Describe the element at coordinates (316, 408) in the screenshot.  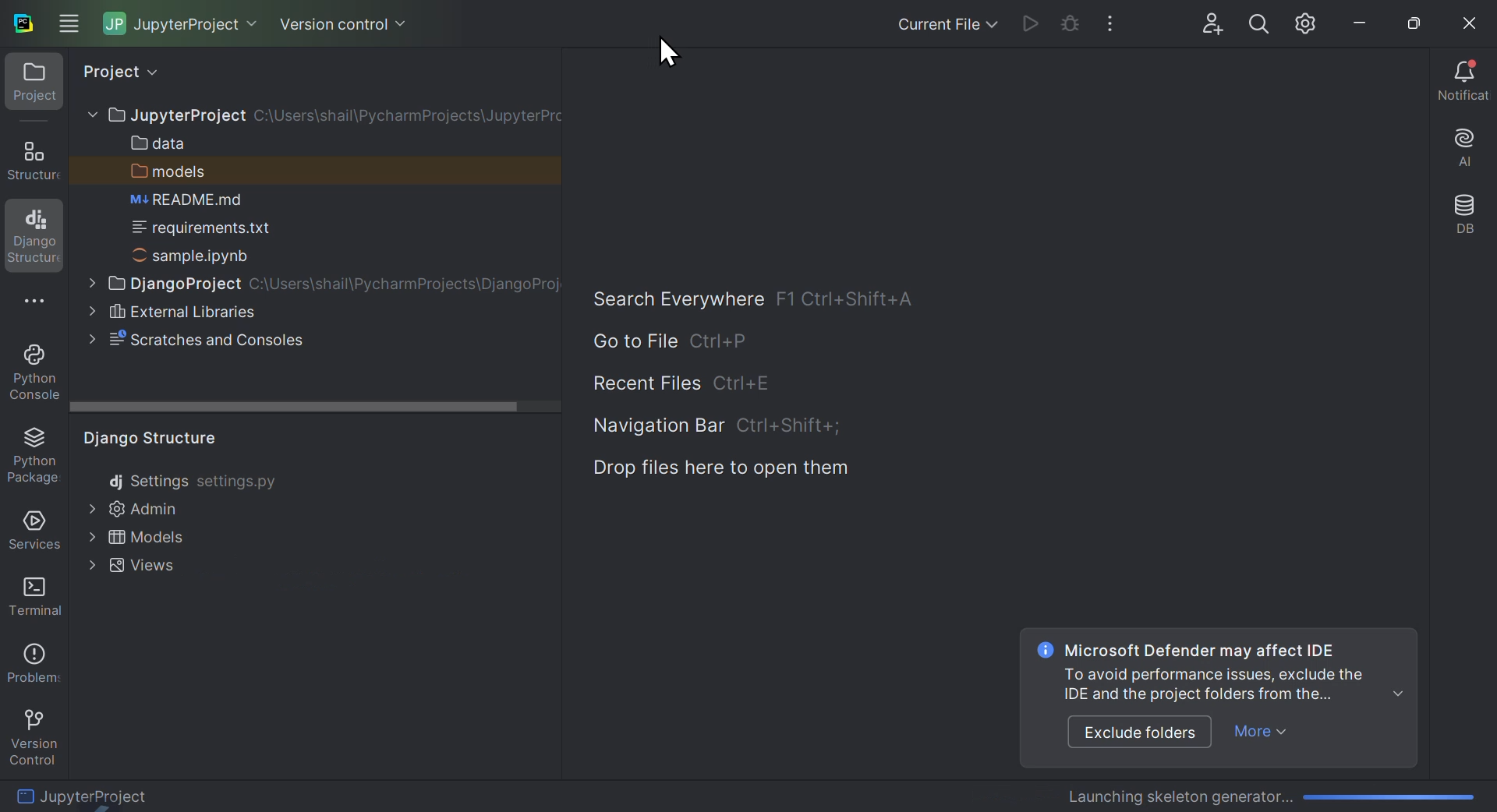
I see `horizontal scrollbar` at that location.